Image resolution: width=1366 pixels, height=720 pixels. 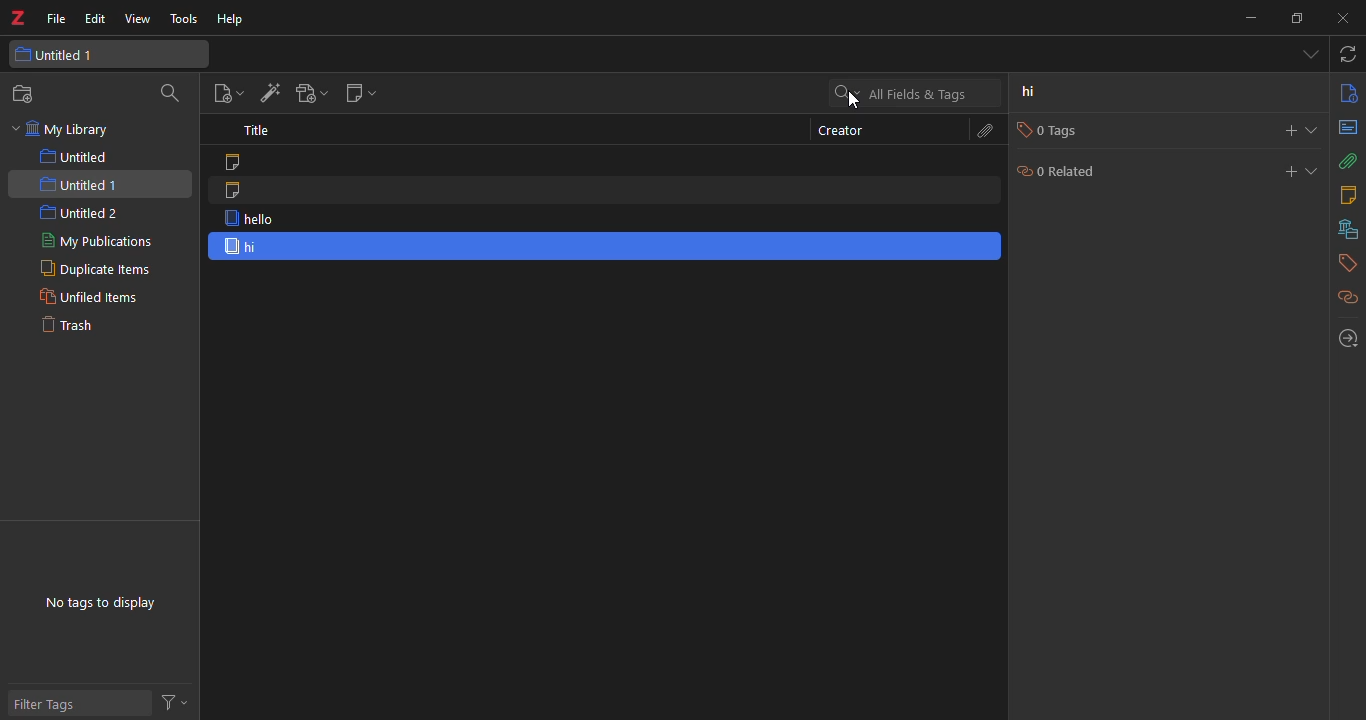 I want to click on note, so click(x=233, y=160).